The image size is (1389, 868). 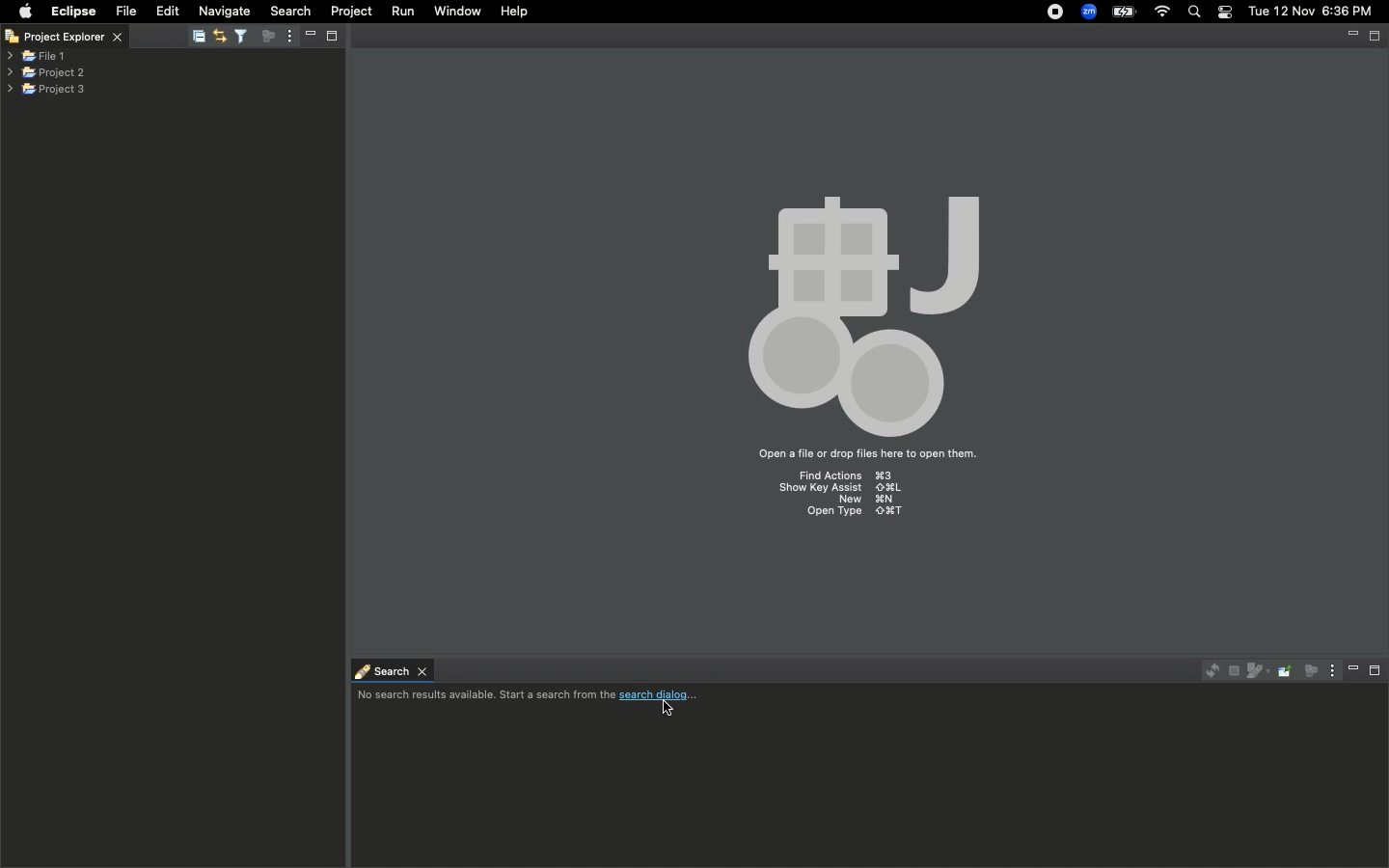 What do you see at coordinates (1162, 13) in the screenshot?
I see `Internet` at bounding box center [1162, 13].